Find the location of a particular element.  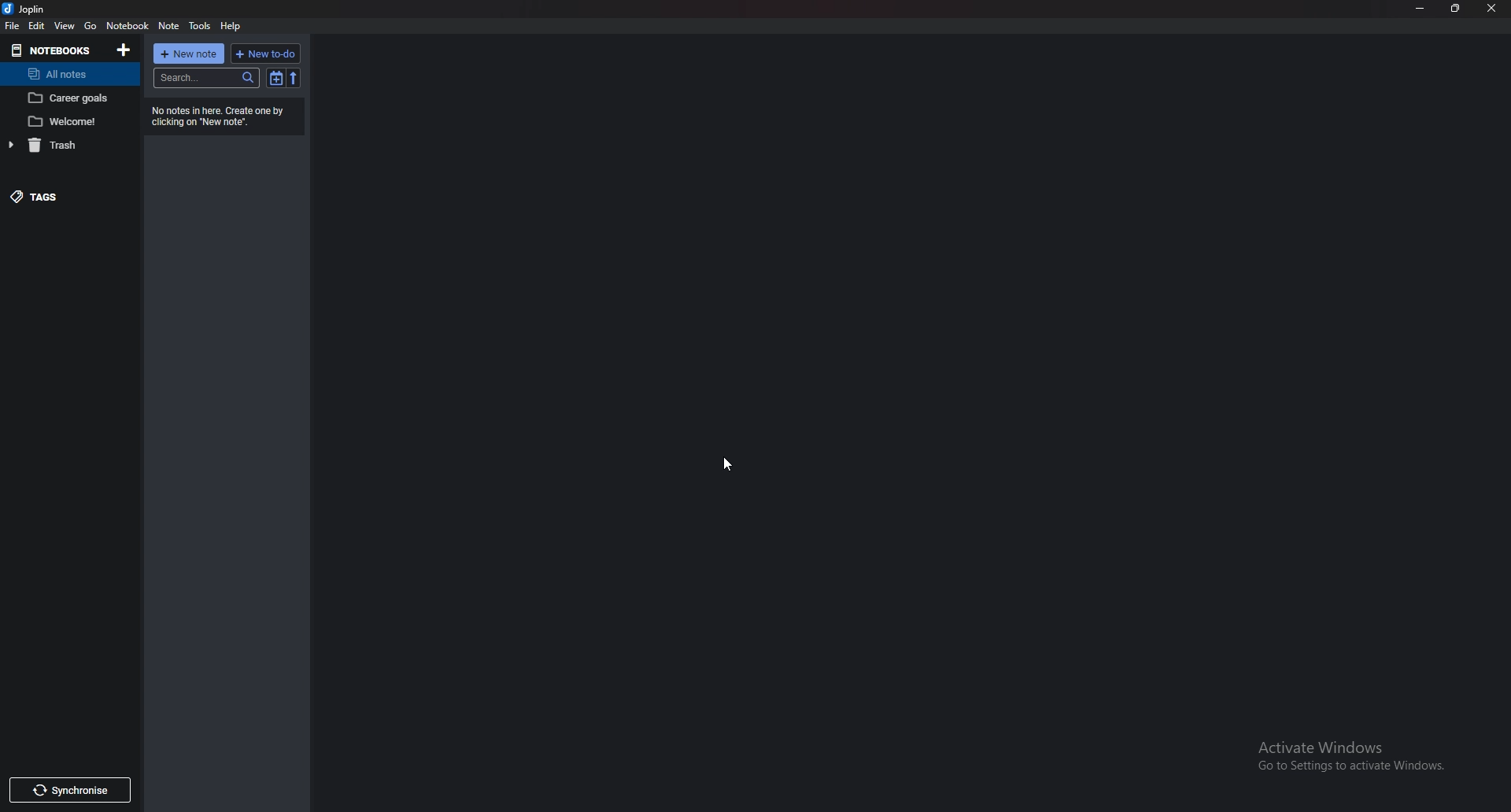

notebook is located at coordinates (70, 98).